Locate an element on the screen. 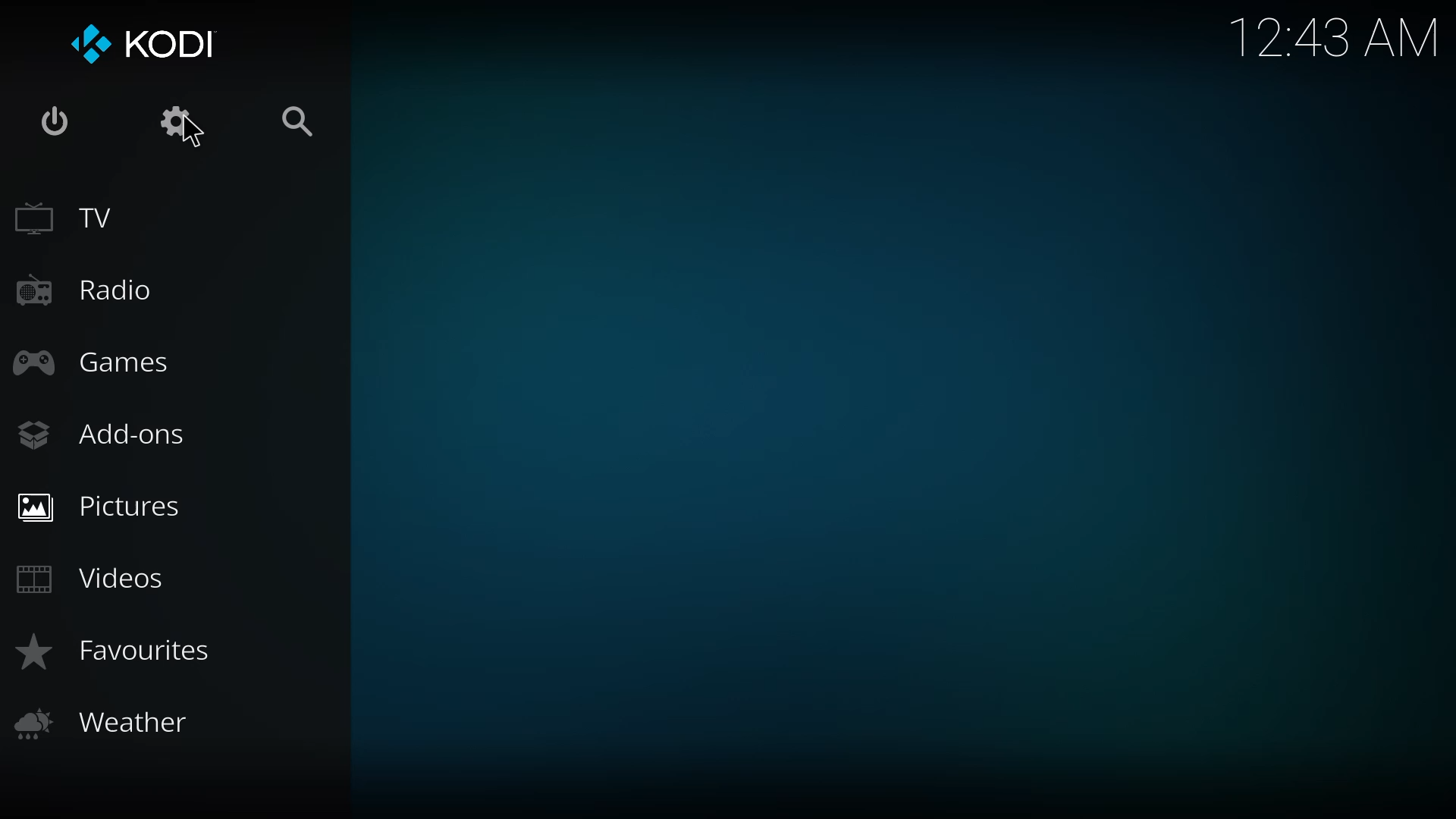 This screenshot has height=819, width=1456. favorites is located at coordinates (125, 651).